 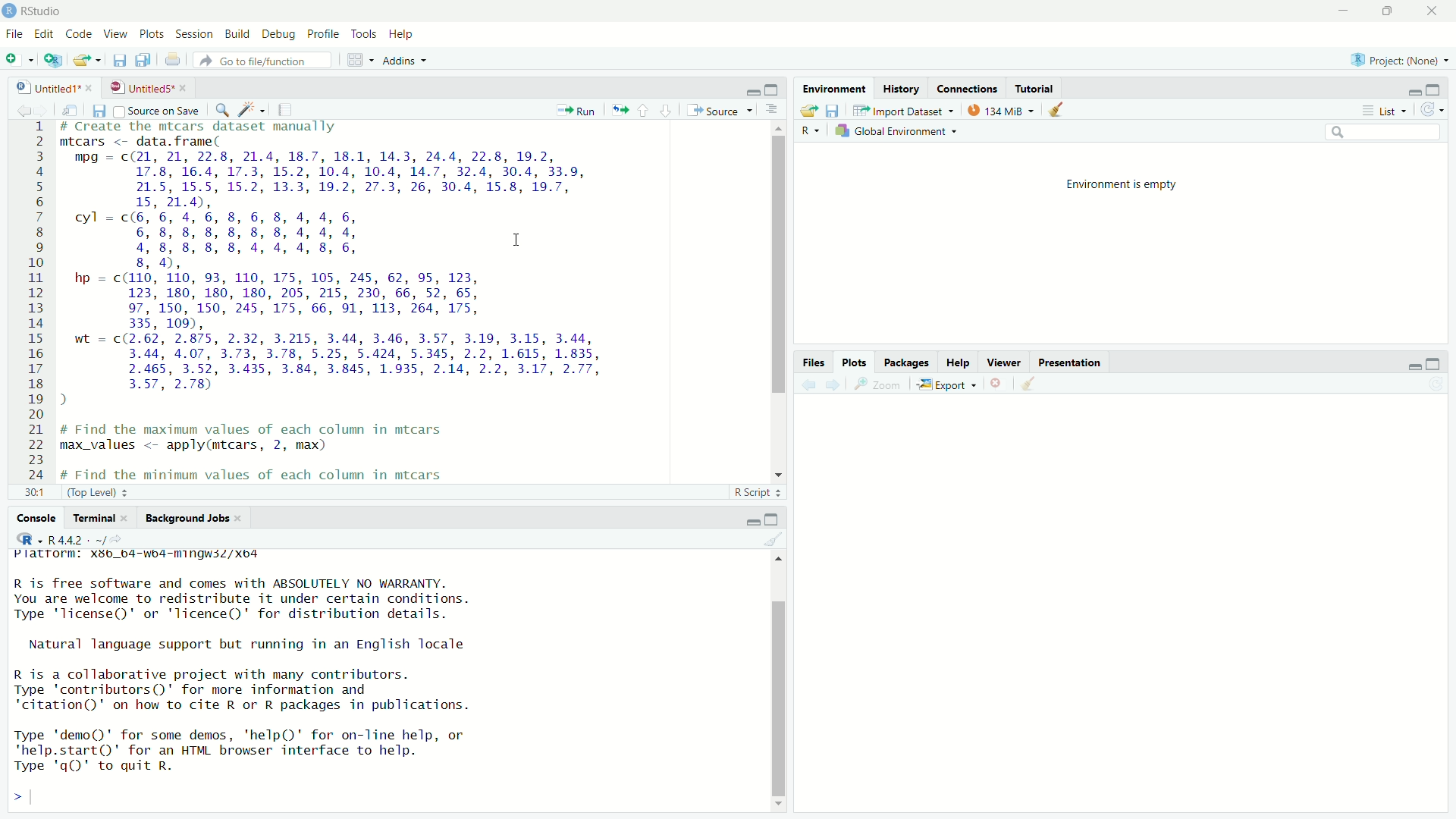 What do you see at coordinates (773, 89) in the screenshot?
I see `maximise` at bounding box center [773, 89].